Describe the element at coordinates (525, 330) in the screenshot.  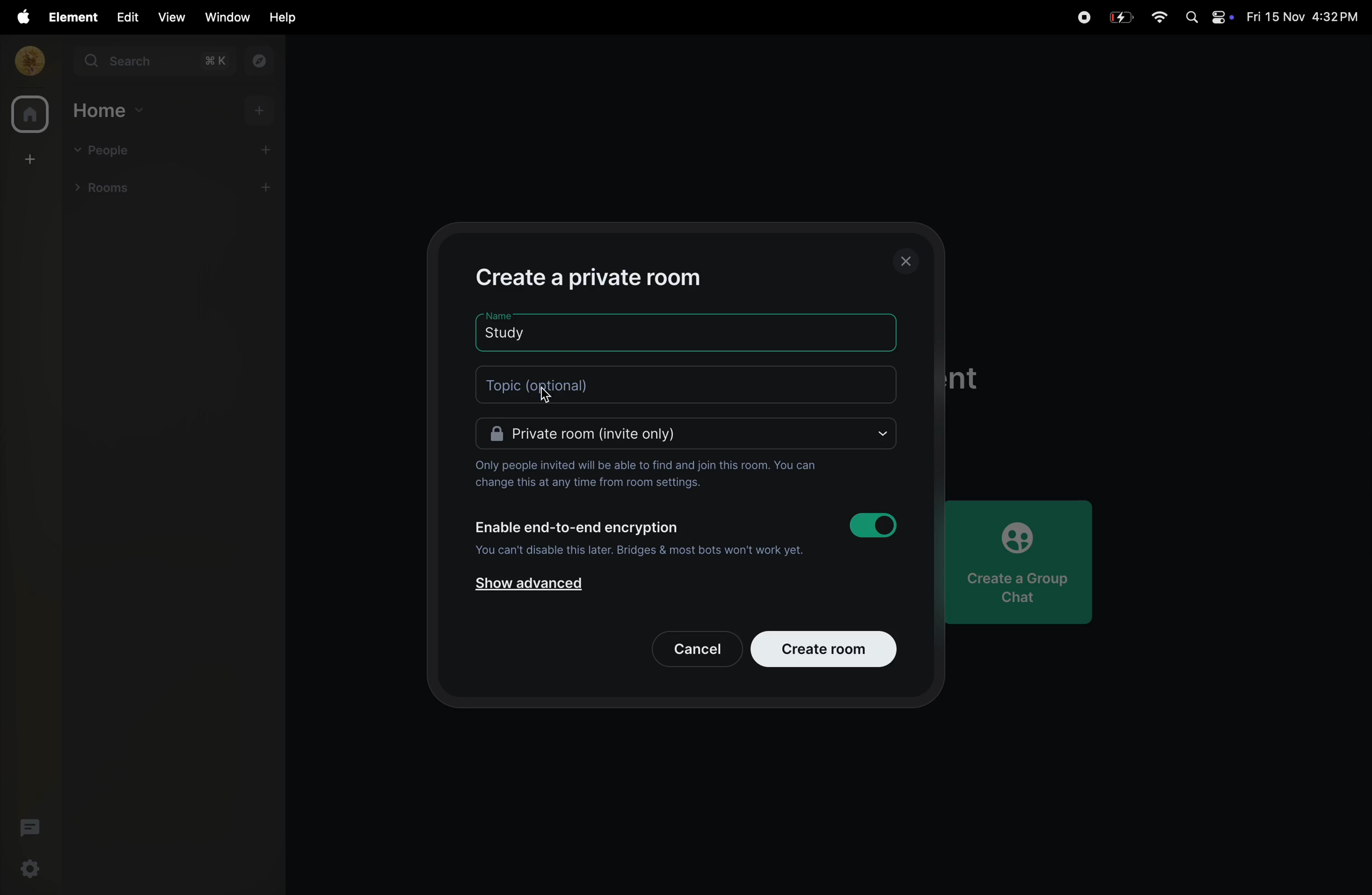
I see `room name study` at that location.